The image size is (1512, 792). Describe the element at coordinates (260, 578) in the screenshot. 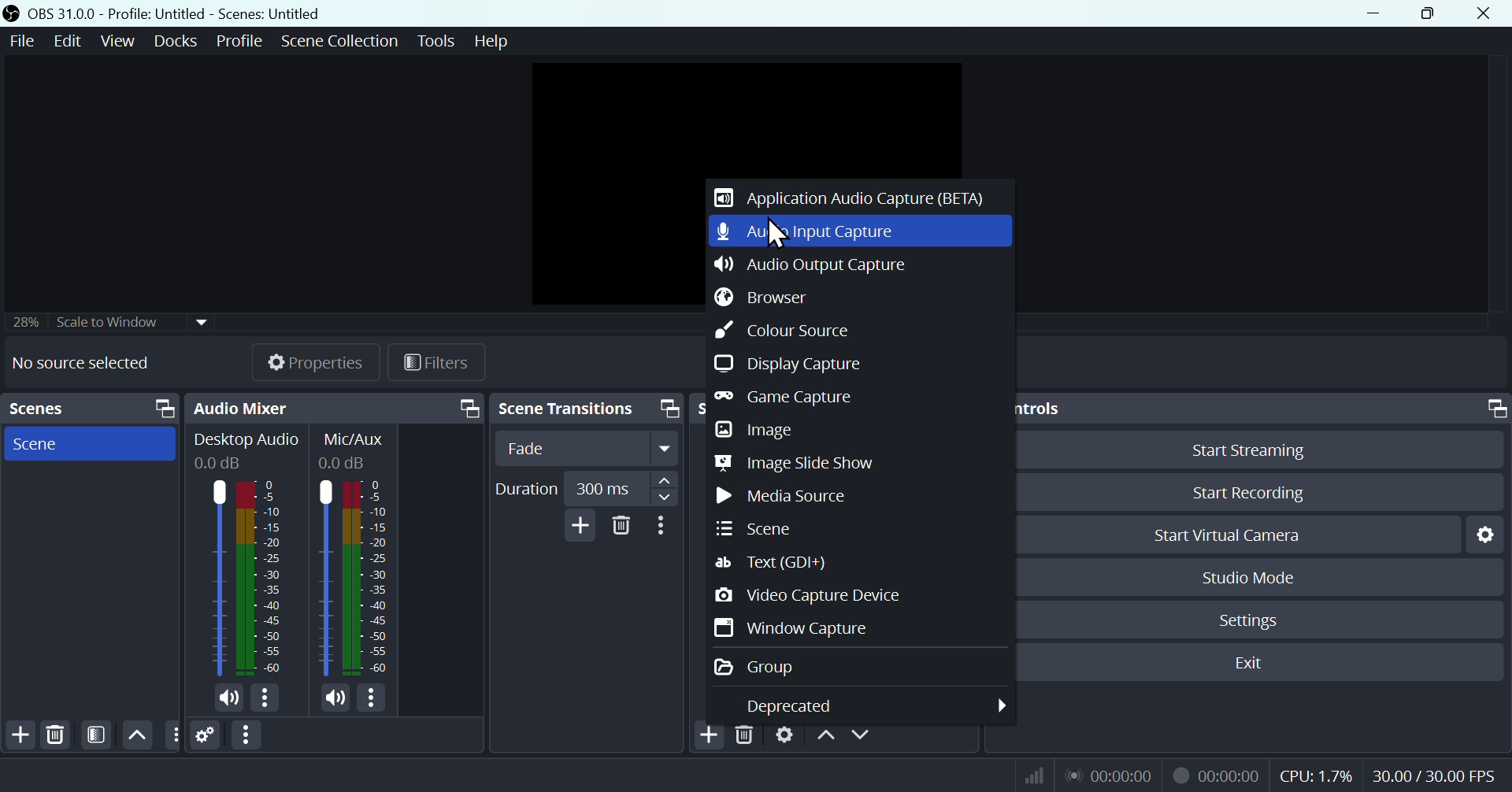

I see `Desktop Audio bar` at that location.